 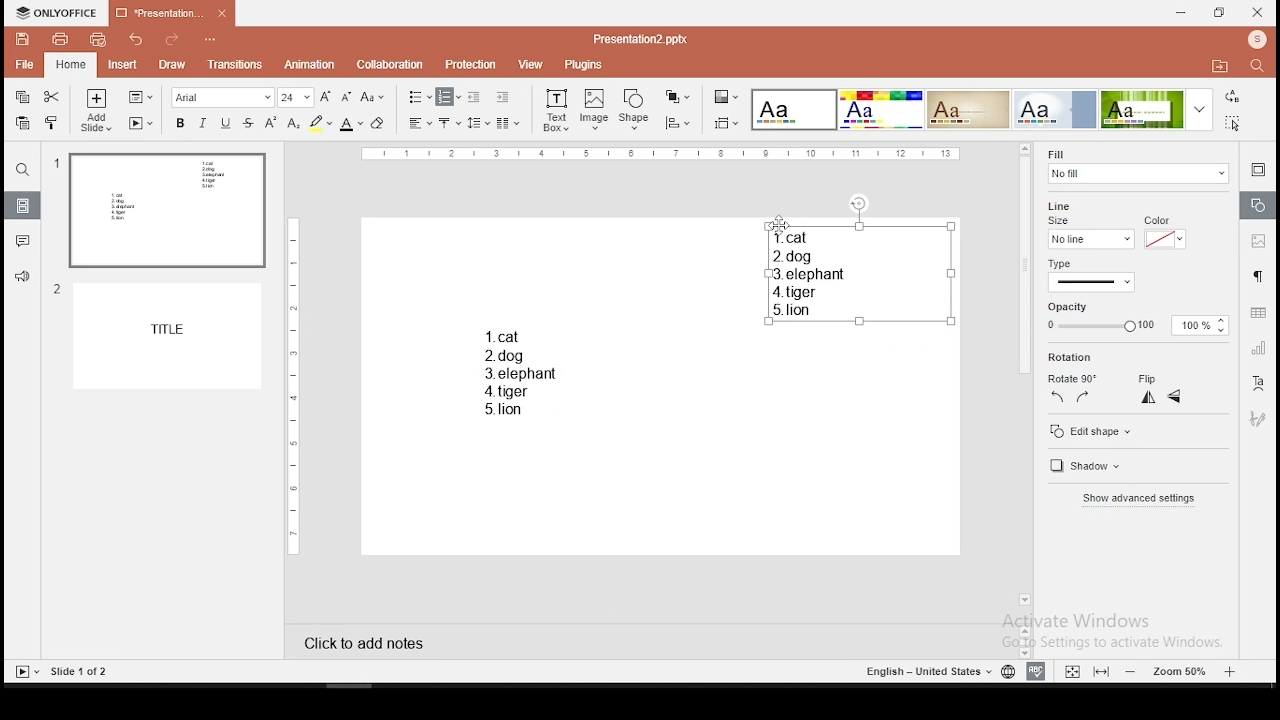 What do you see at coordinates (859, 273) in the screenshot?
I see `text box` at bounding box center [859, 273].